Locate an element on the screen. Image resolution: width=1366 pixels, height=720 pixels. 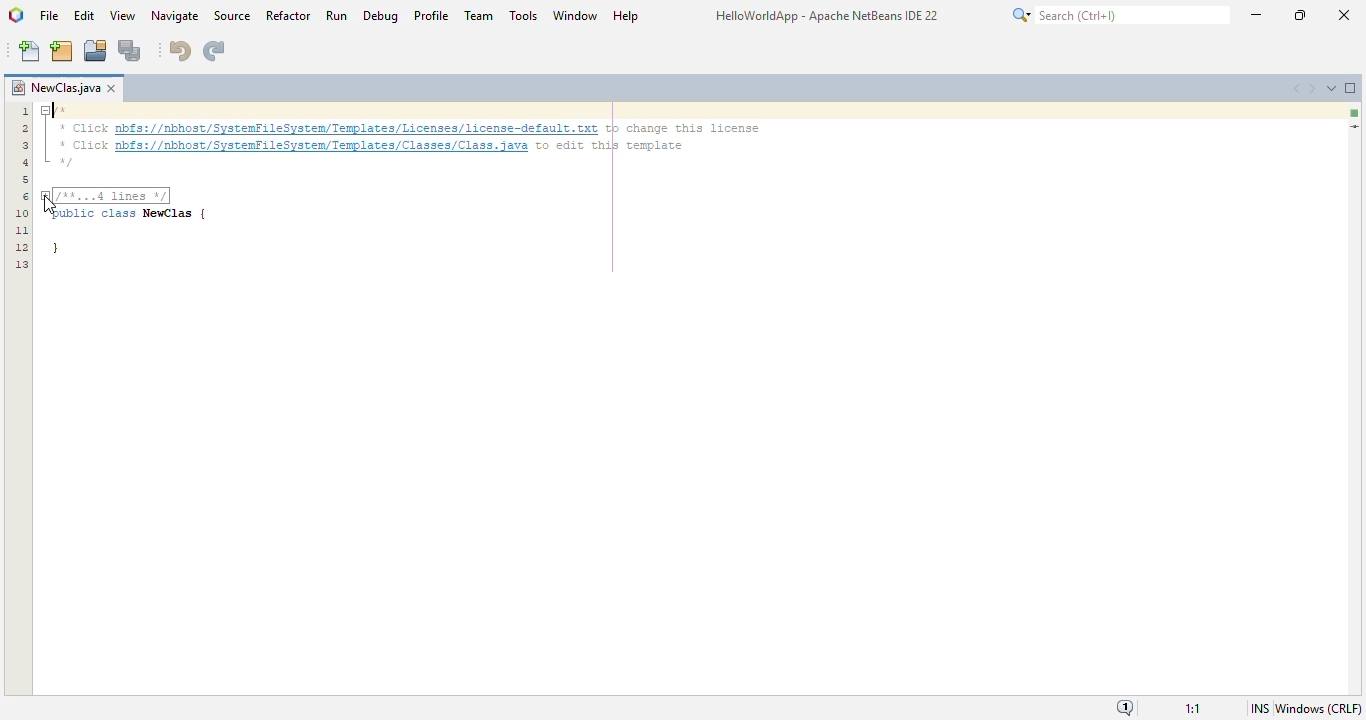
view is located at coordinates (123, 15).